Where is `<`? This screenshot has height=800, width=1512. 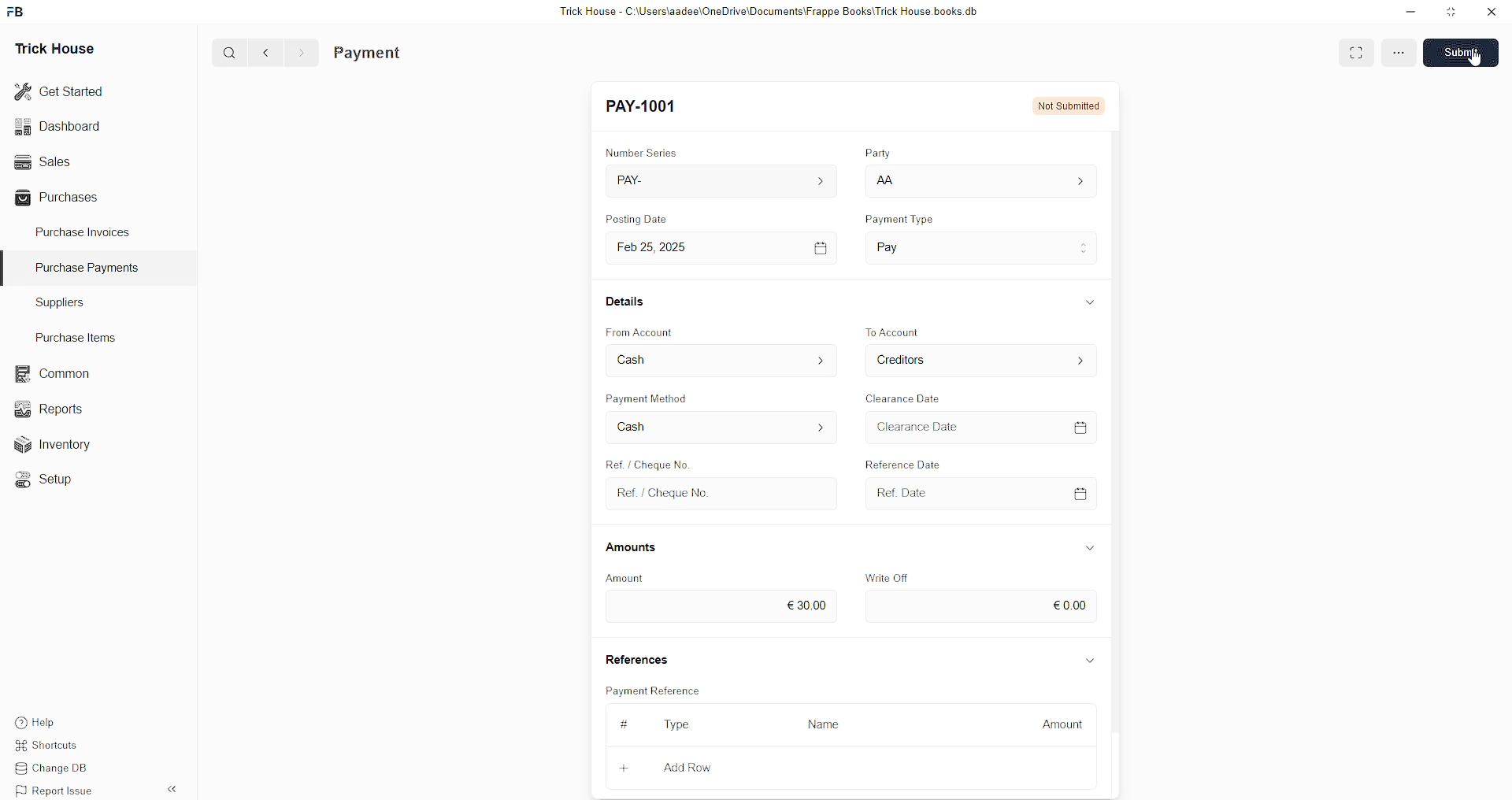 < is located at coordinates (262, 52).